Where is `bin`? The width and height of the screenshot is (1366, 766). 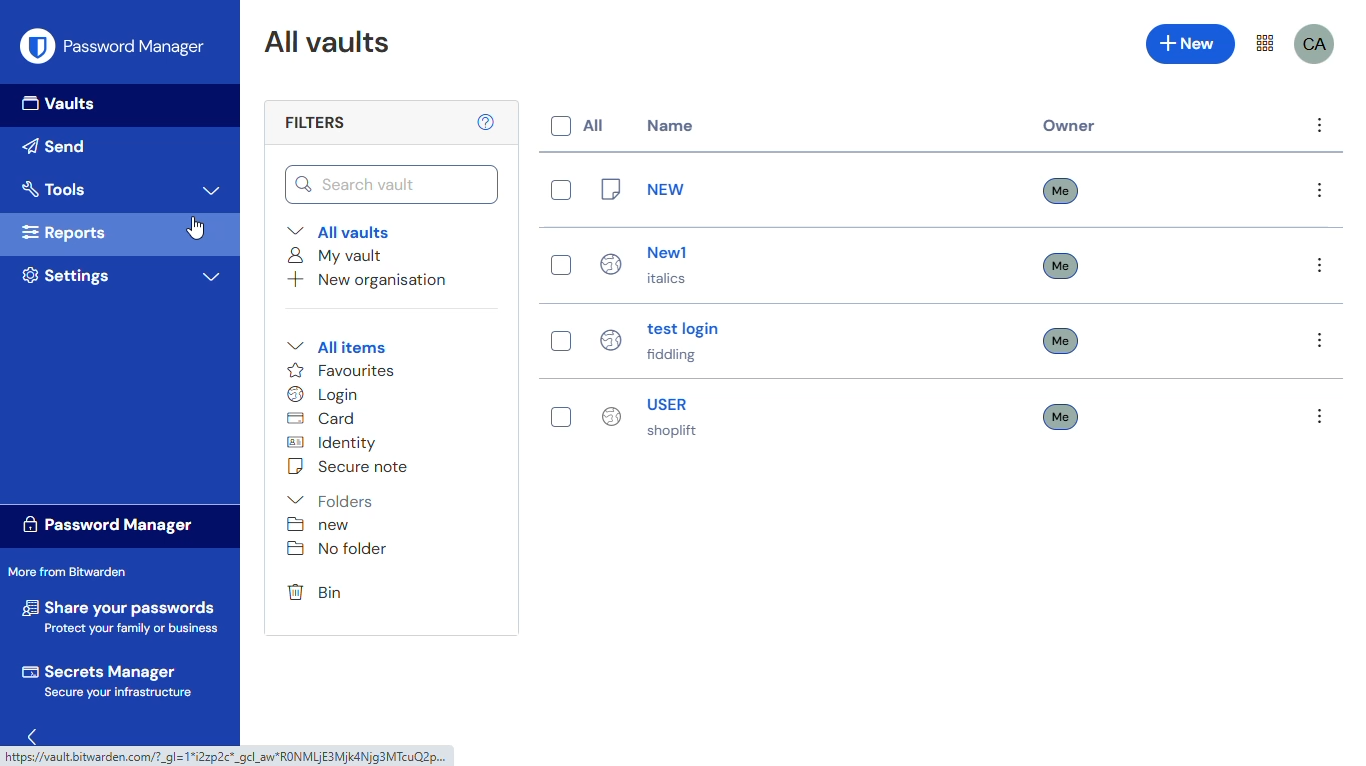
bin is located at coordinates (315, 591).